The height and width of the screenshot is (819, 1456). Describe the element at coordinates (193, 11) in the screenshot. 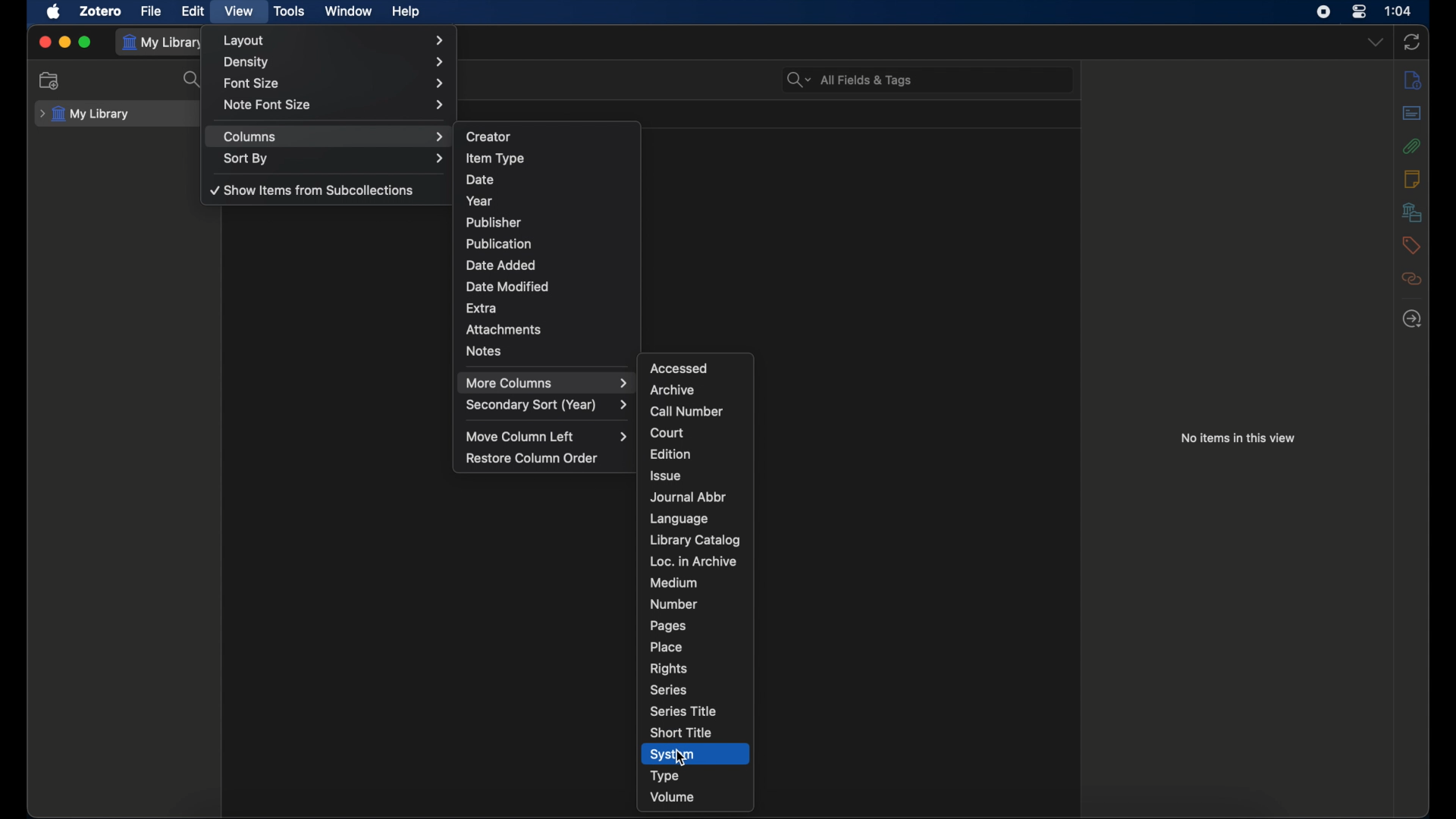

I see `edit` at that location.